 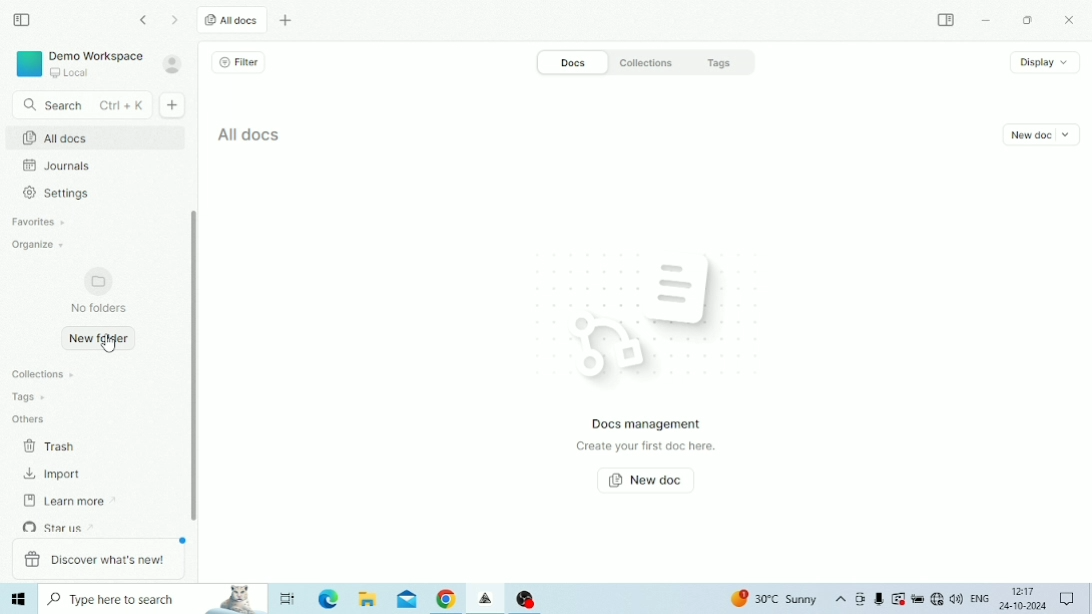 What do you see at coordinates (233, 20) in the screenshot?
I see `All docs` at bounding box center [233, 20].